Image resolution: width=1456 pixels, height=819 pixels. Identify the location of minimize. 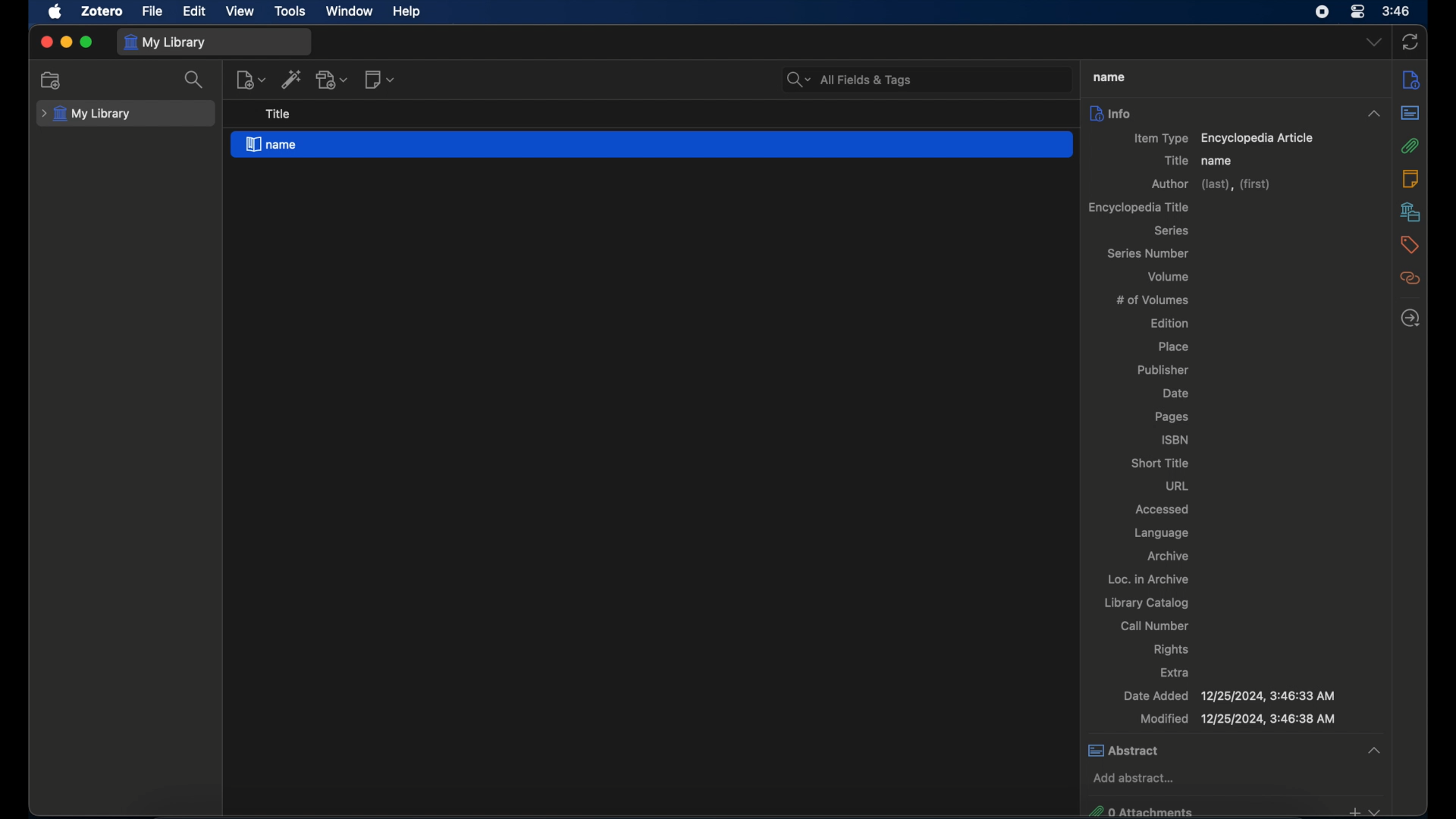
(65, 42).